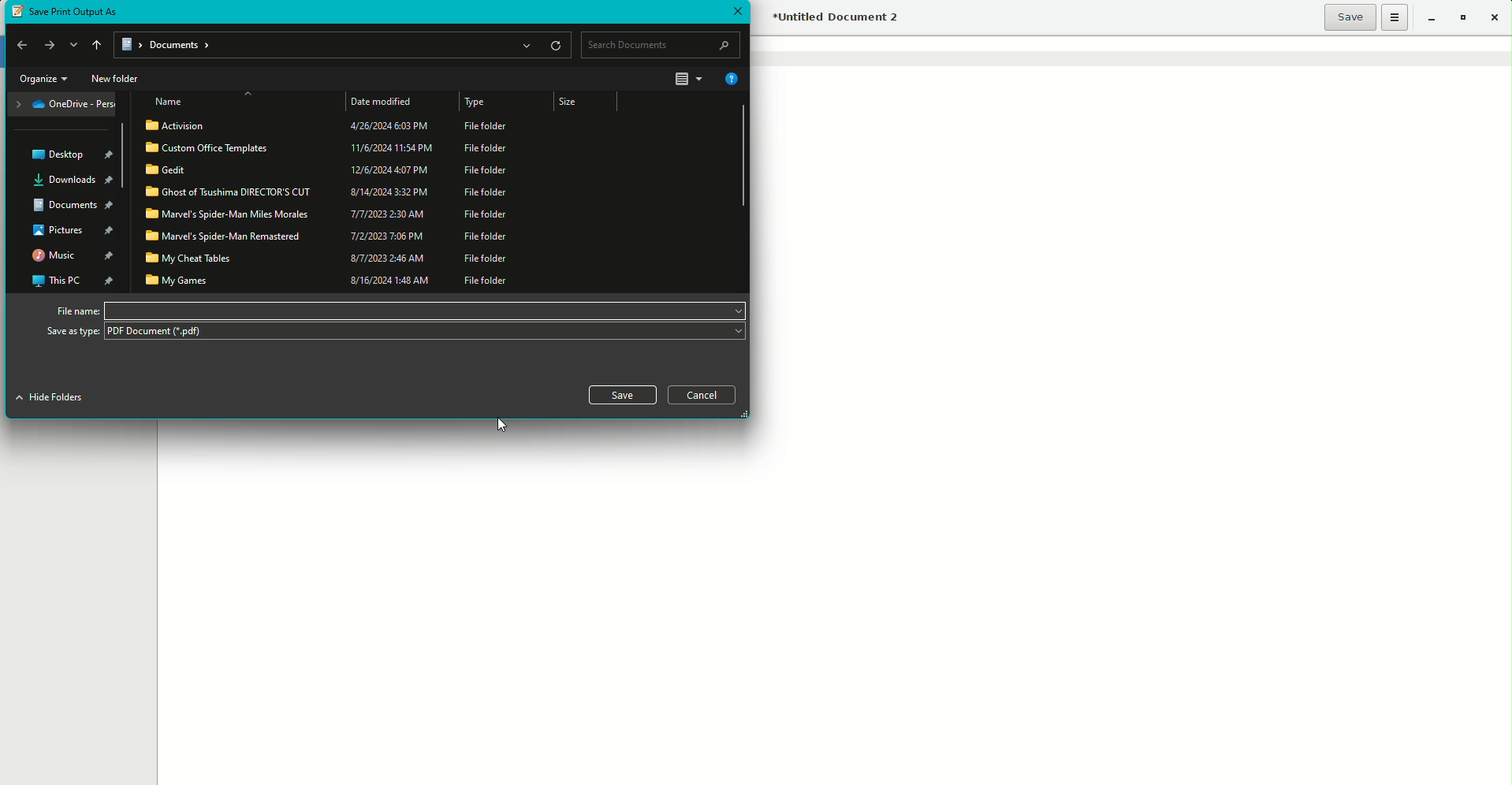 Image resolution: width=1512 pixels, height=785 pixels. I want to click on New folder, so click(116, 78).